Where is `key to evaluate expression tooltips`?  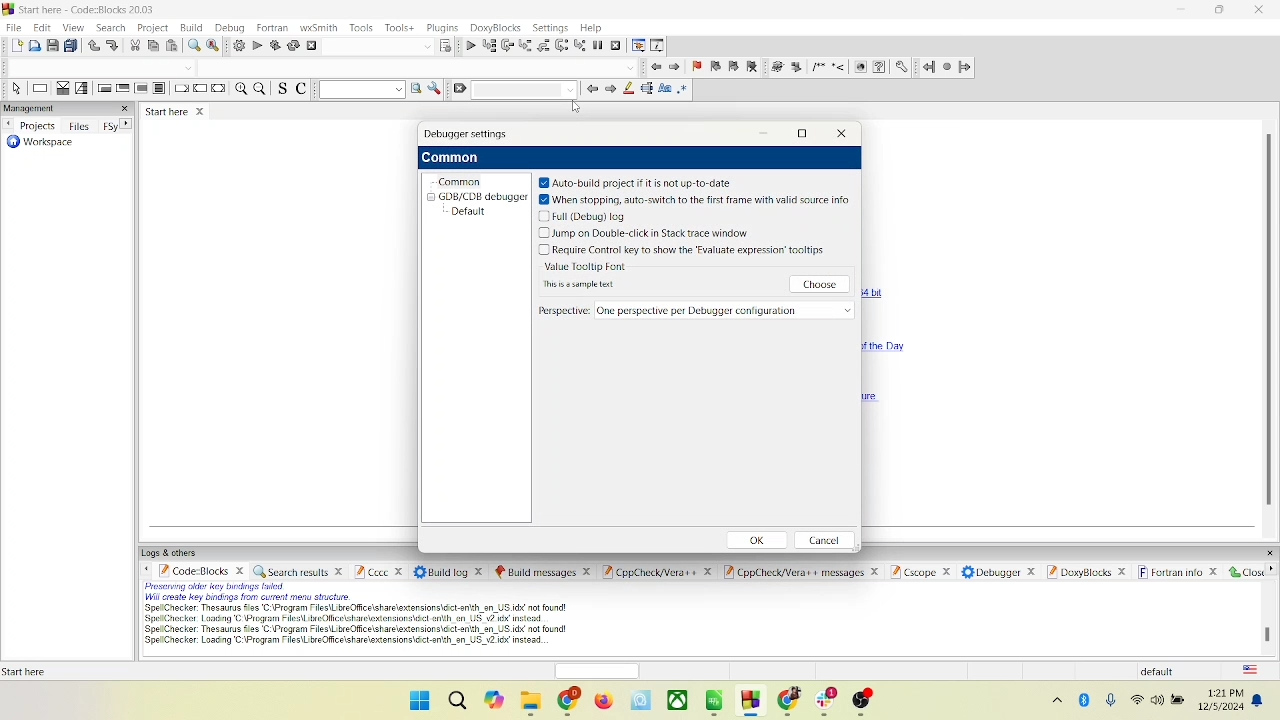 key to evaluate expression tooltips is located at coordinates (683, 252).